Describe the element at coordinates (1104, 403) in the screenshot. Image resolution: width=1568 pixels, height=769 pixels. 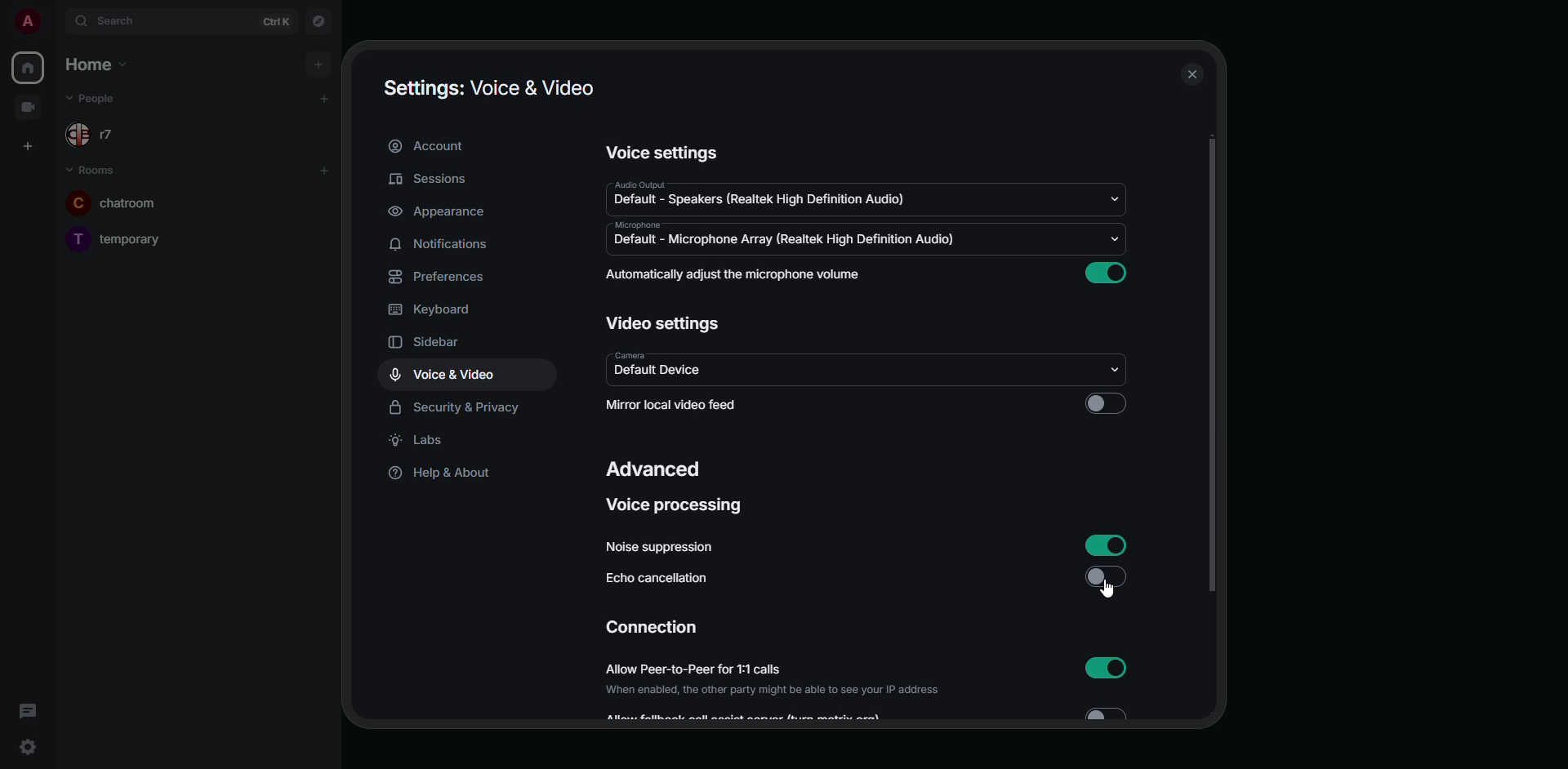
I see `click to enable` at that location.